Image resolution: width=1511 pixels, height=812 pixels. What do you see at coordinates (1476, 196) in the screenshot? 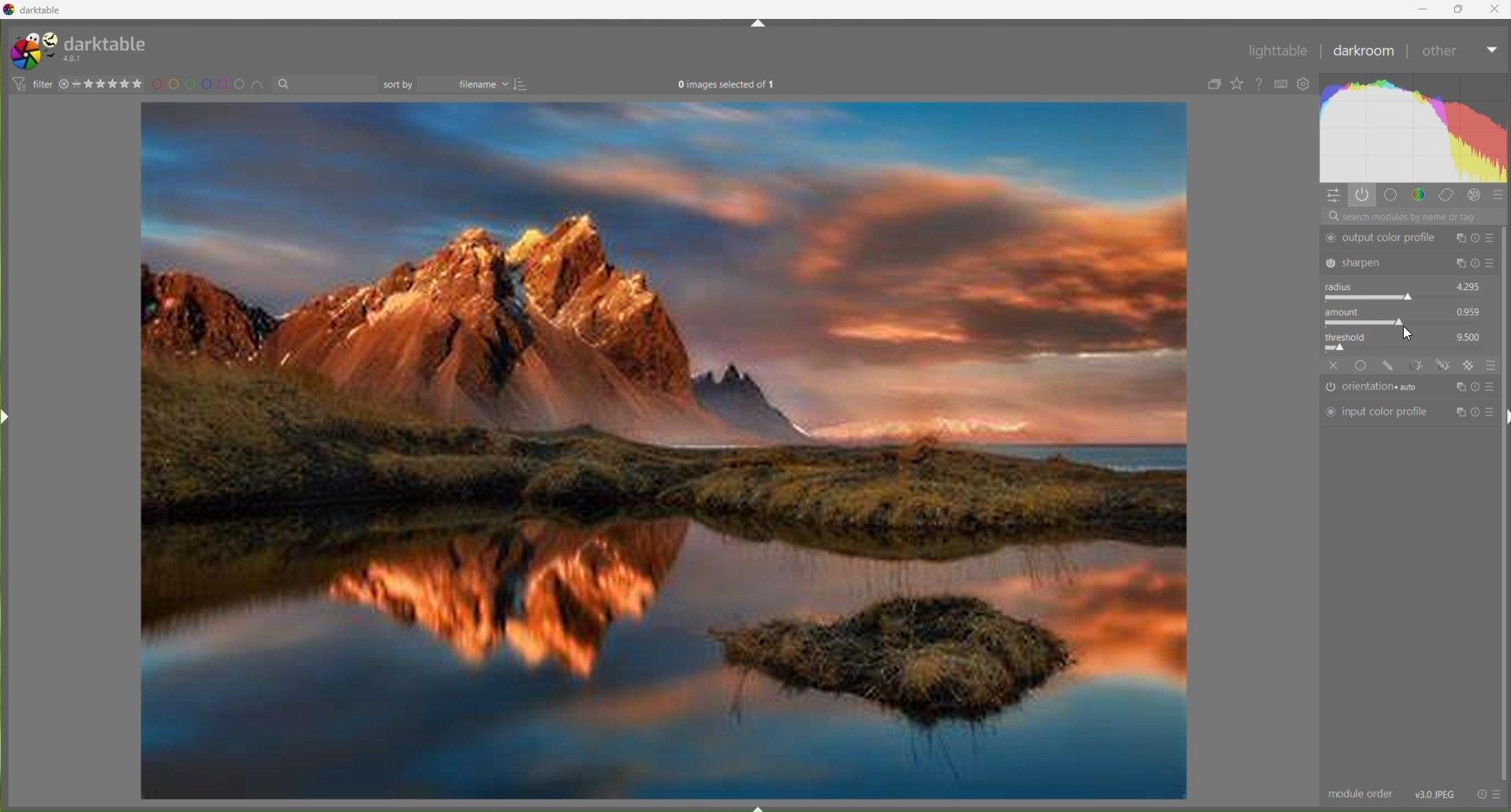
I see `Effects` at bounding box center [1476, 196].